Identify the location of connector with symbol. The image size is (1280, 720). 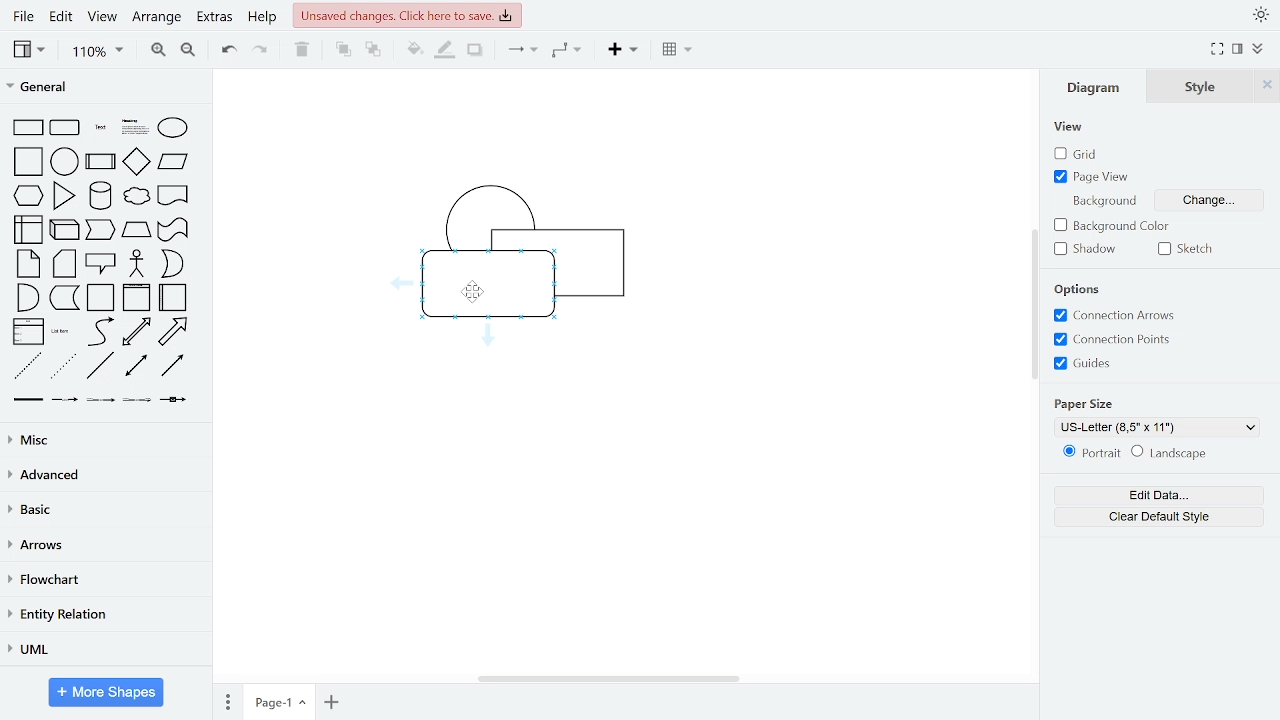
(174, 401).